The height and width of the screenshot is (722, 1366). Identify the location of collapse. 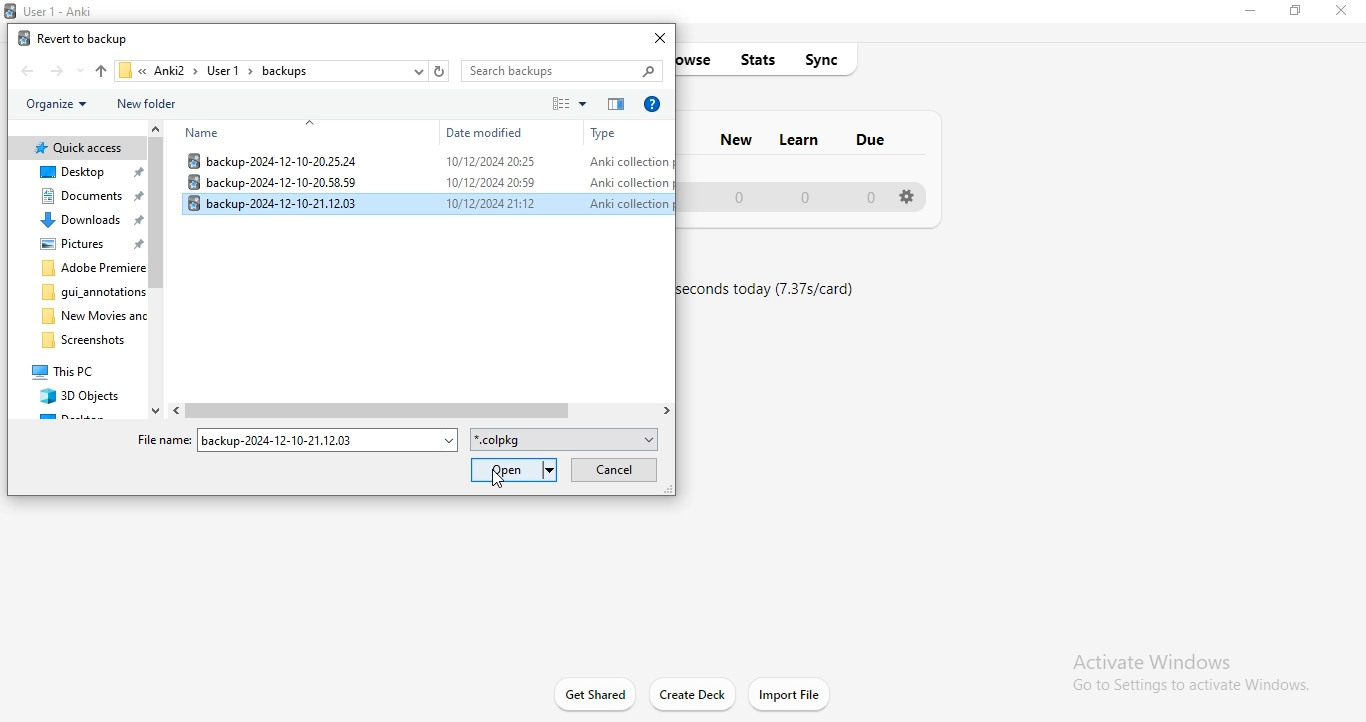
(313, 122).